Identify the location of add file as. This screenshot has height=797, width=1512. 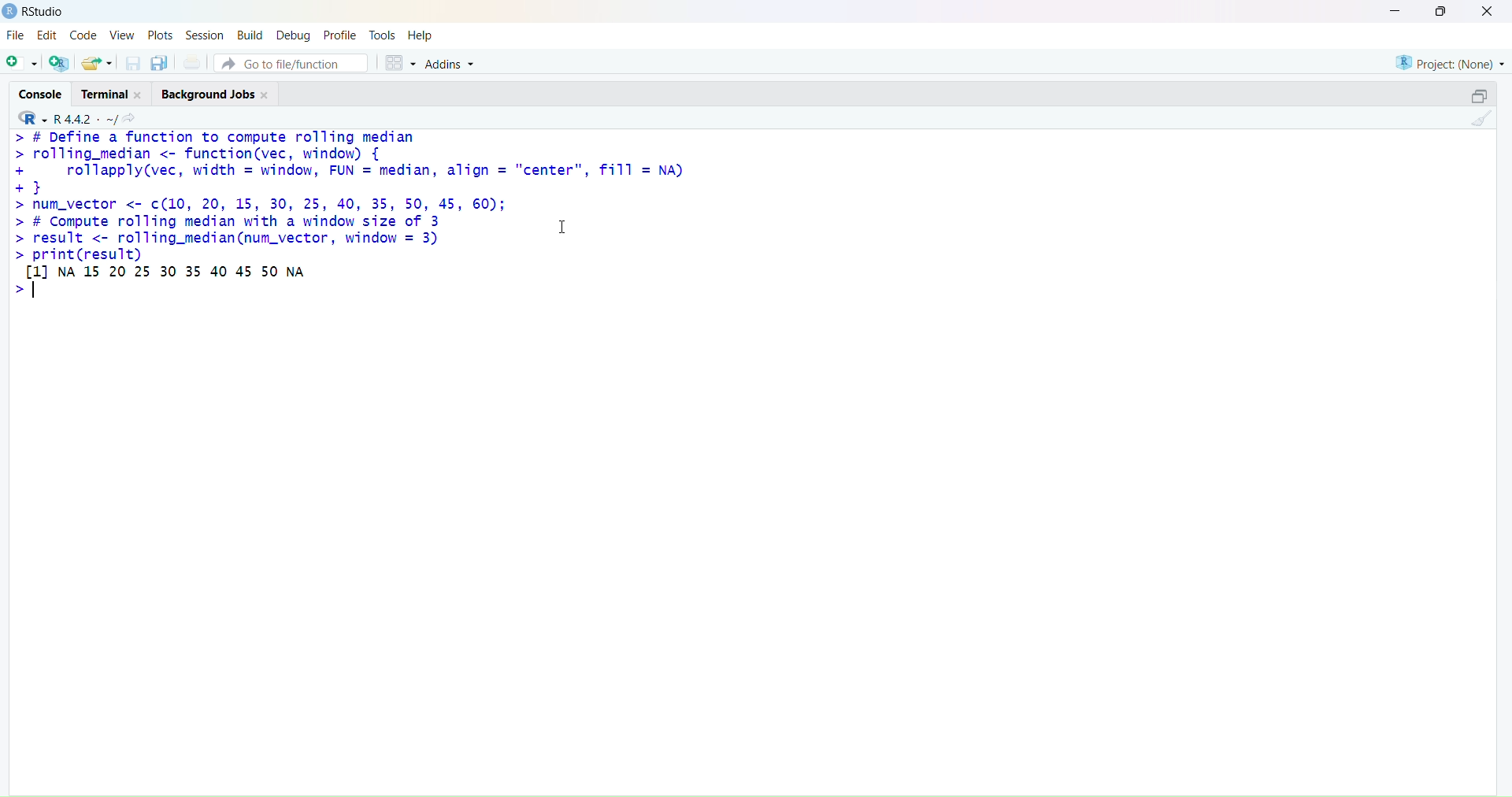
(22, 63).